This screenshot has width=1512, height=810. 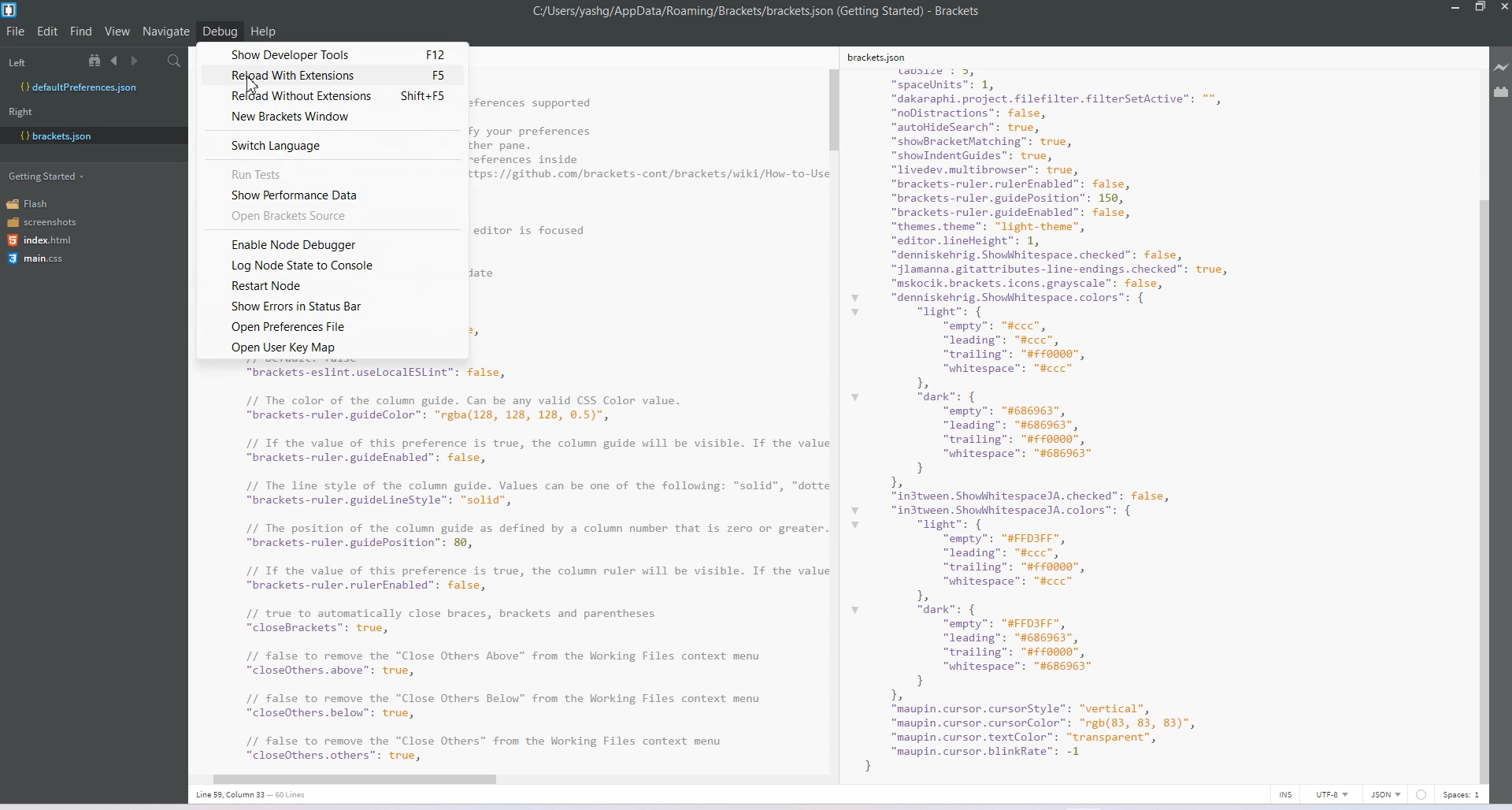 I want to click on Line 36, Column 13- 60 lines, so click(x=259, y=795).